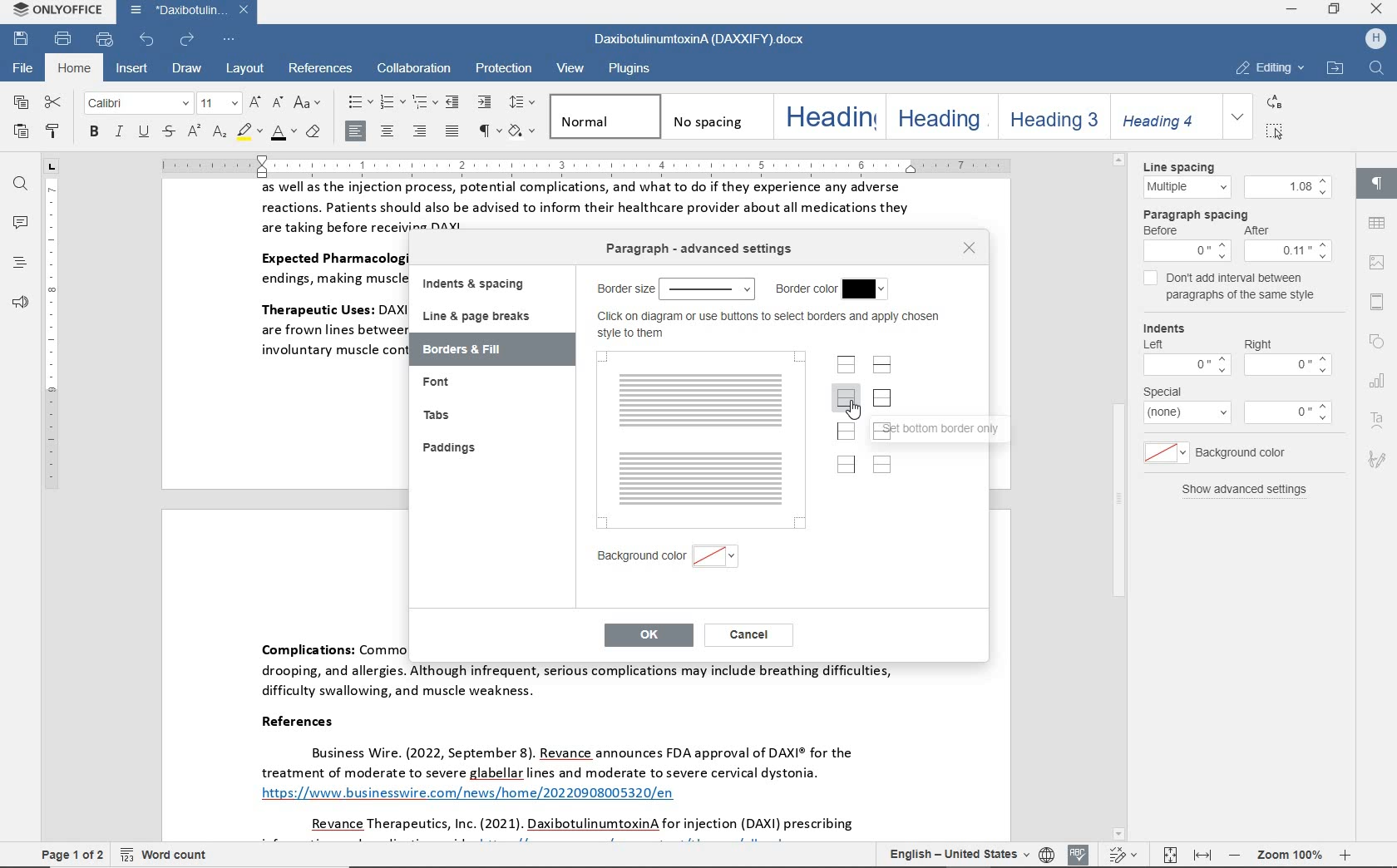 The width and height of the screenshot is (1397, 868). I want to click on collaboration, so click(412, 70).